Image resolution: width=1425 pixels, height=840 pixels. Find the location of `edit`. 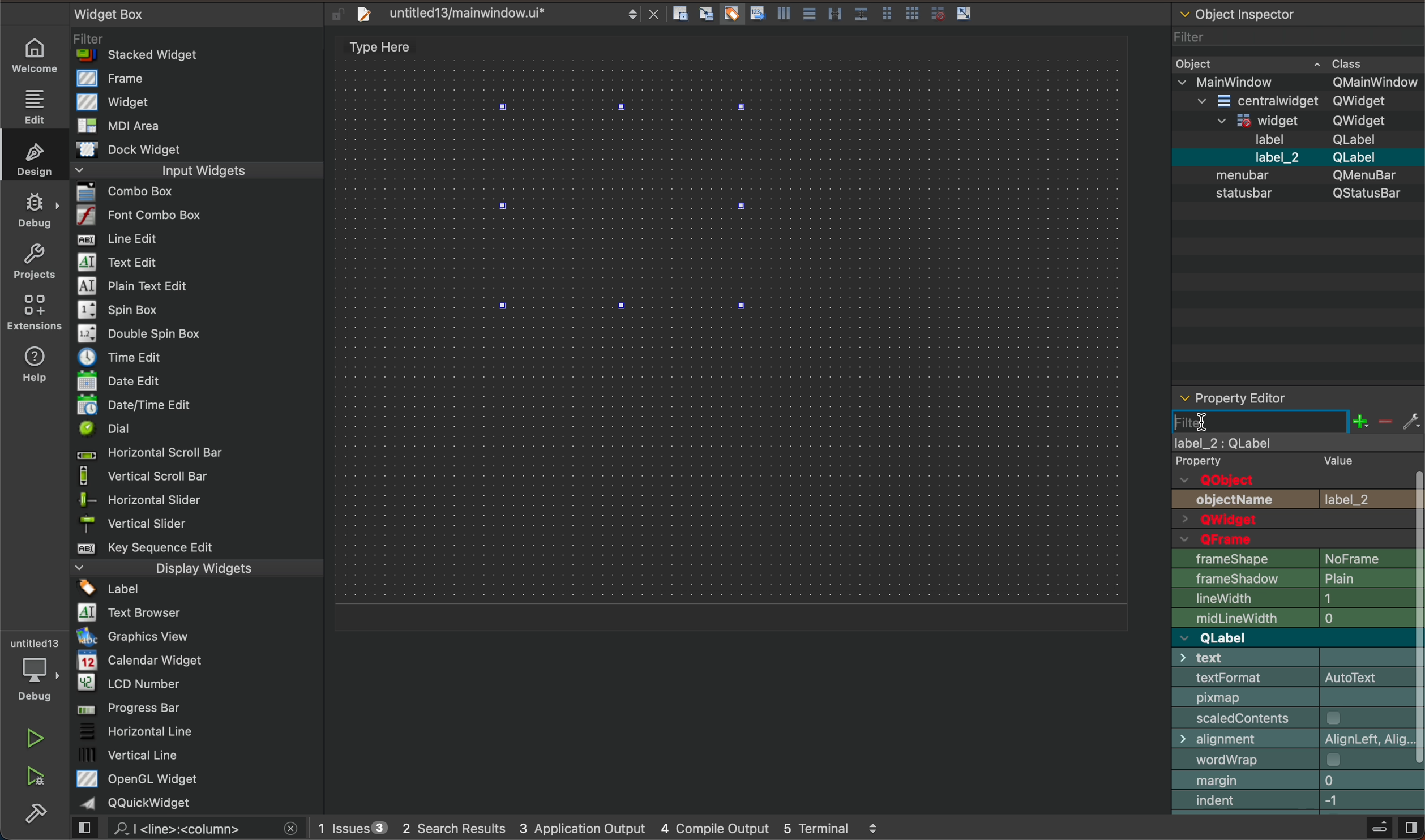

edit is located at coordinates (32, 104).